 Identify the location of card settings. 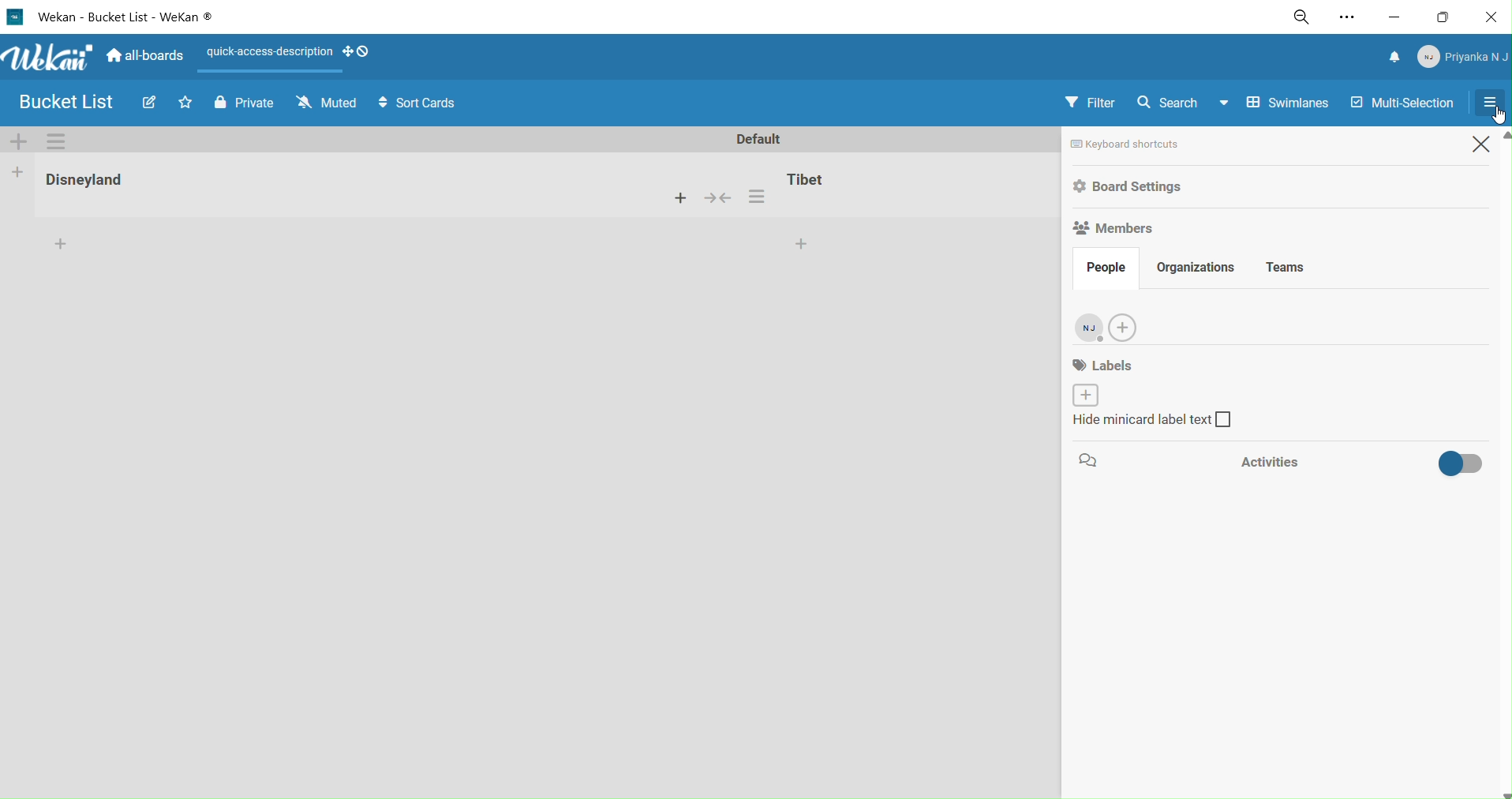
(757, 201).